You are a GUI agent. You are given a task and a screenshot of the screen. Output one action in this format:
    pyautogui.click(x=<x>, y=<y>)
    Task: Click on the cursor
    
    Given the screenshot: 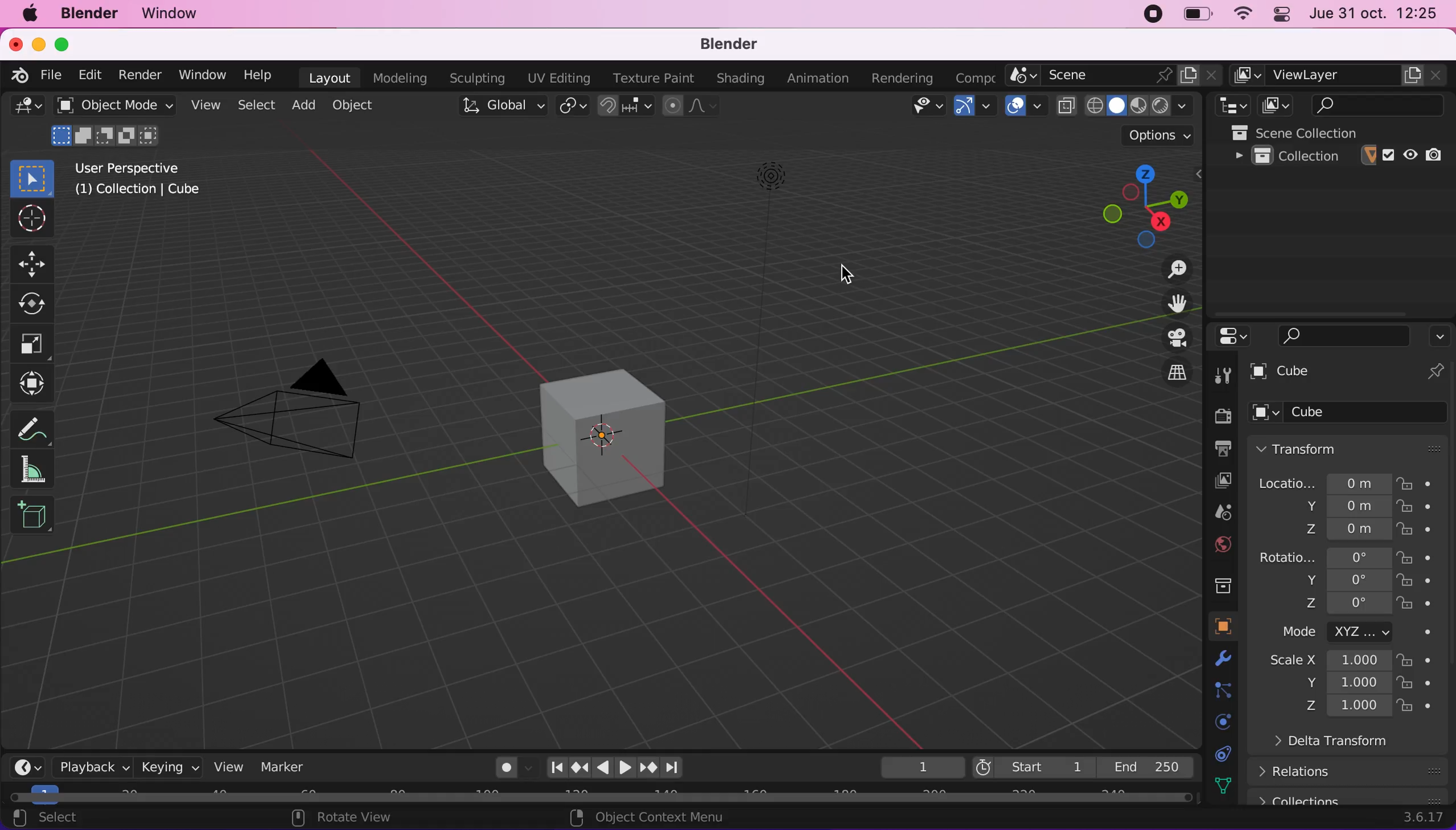 What is the action you would take?
    pyautogui.click(x=847, y=279)
    